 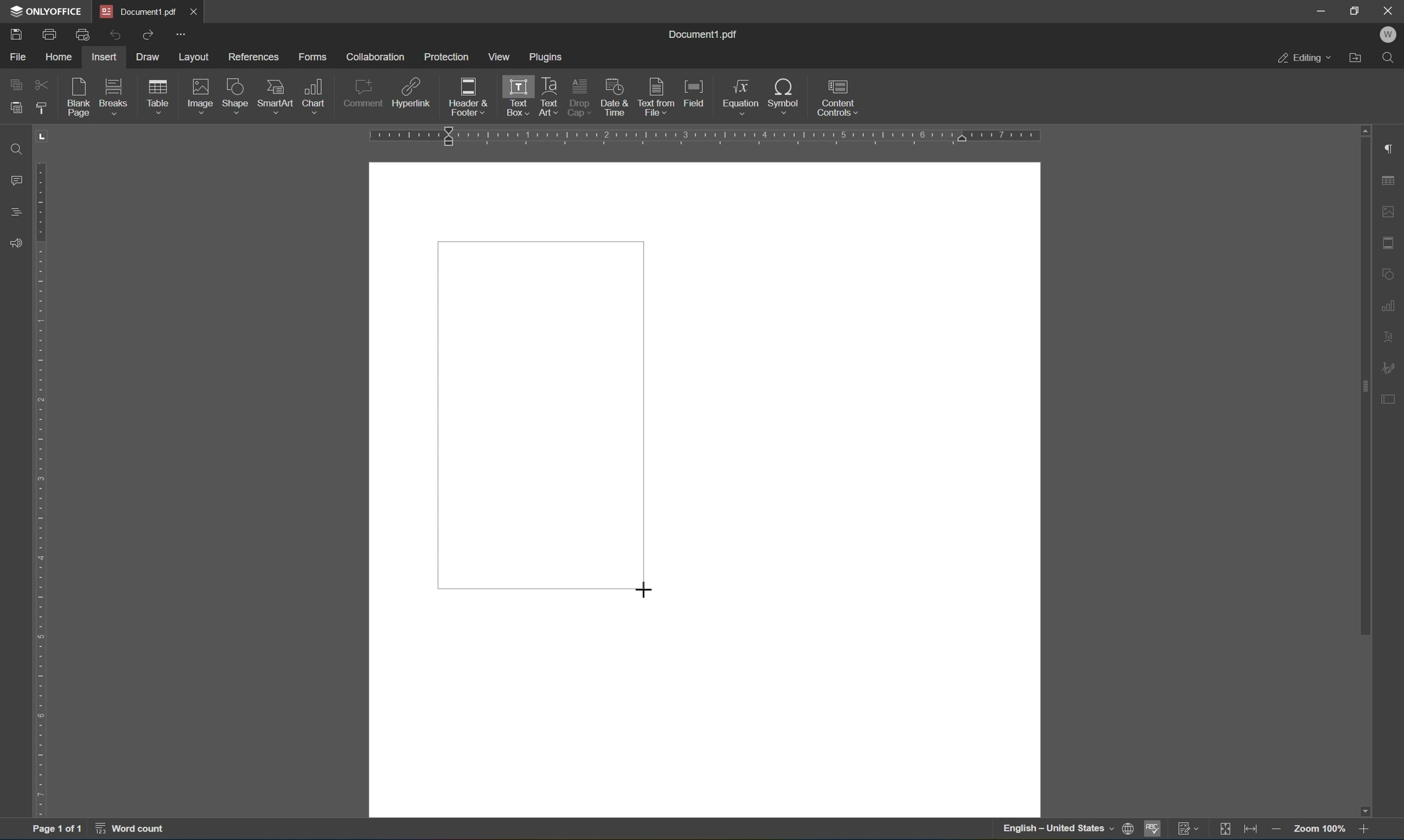 What do you see at coordinates (377, 57) in the screenshot?
I see `collaboration` at bounding box center [377, 57].